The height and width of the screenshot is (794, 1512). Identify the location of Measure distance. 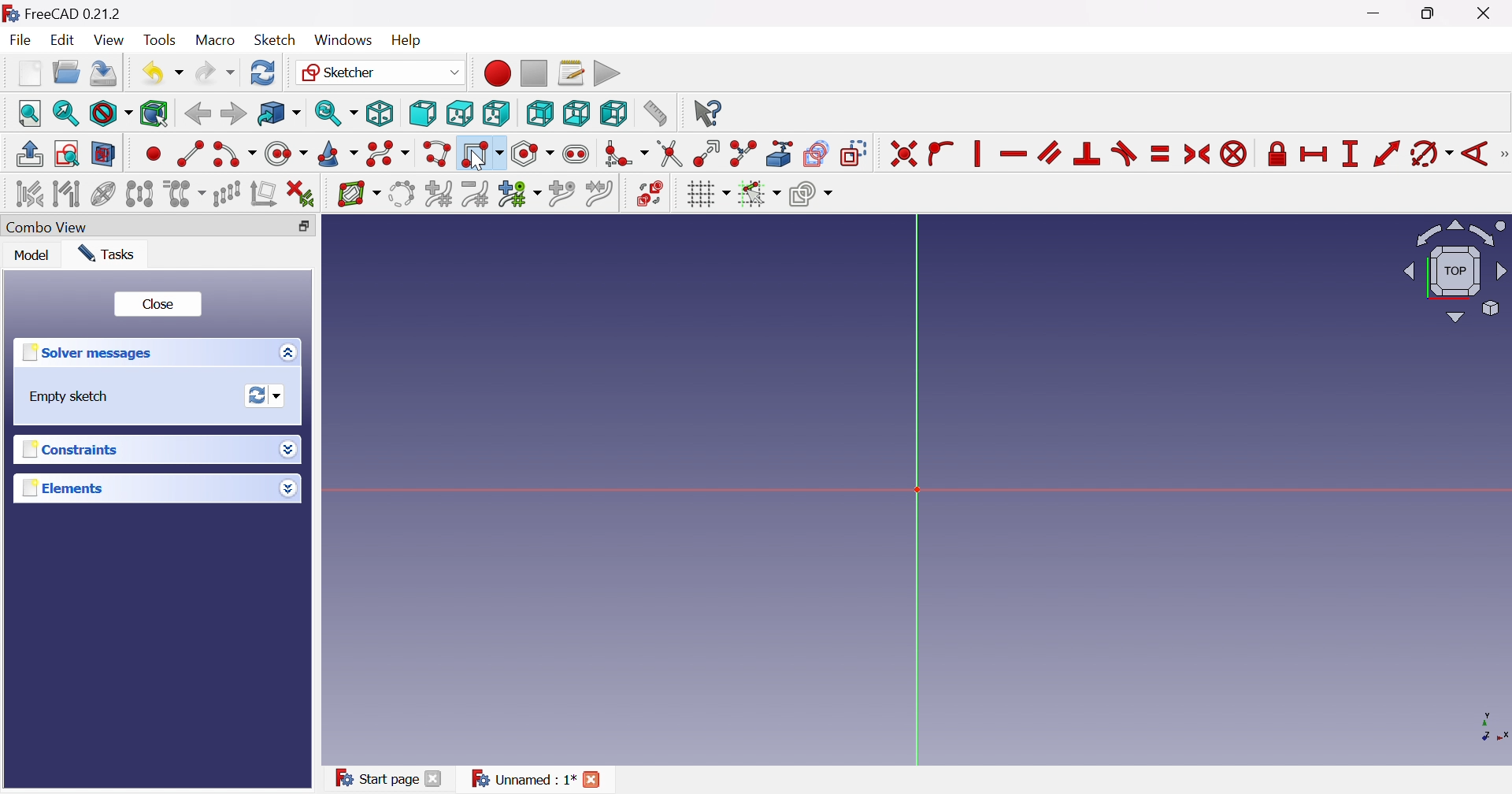
(654, 113).